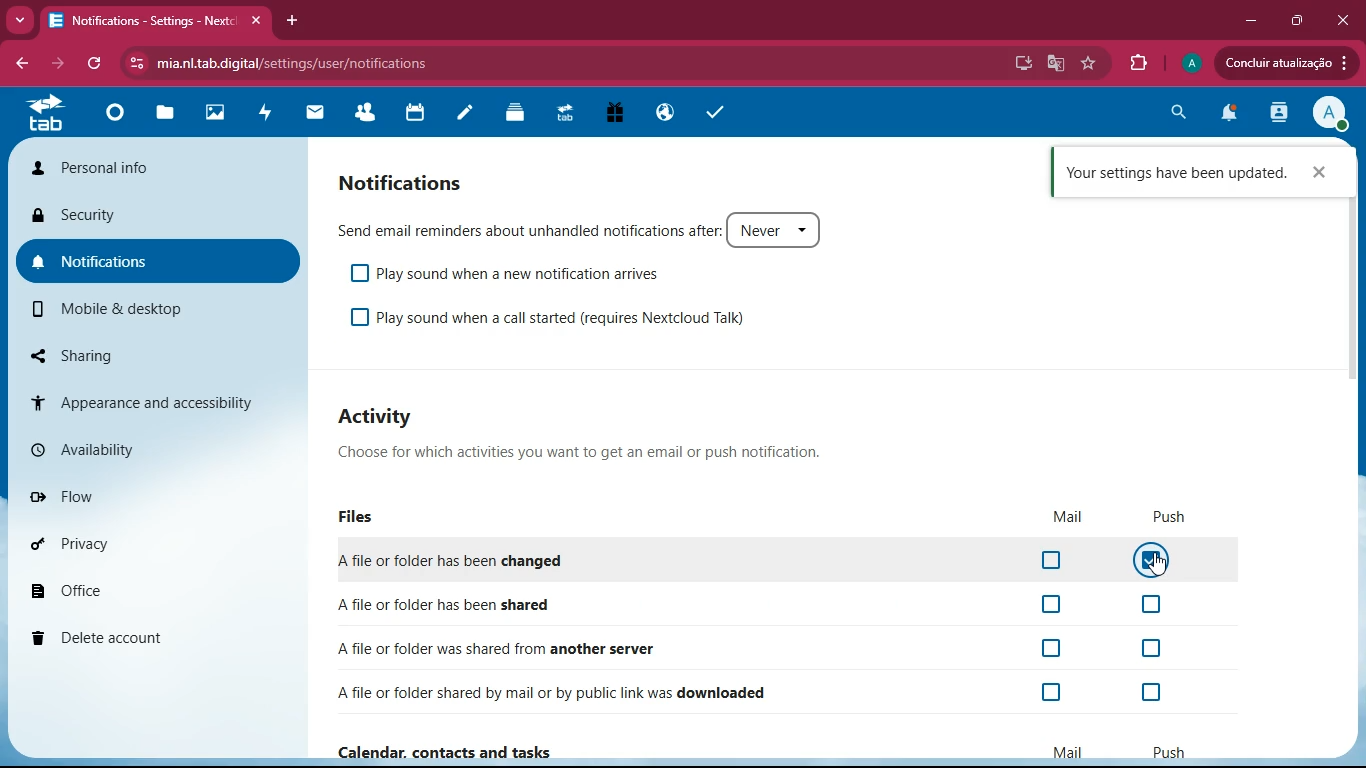 This screenshot has height=768, width=1366. What do you see at coordinates (1159, 606) in the screenshot?
I see `off` at bounding box center [1159, 606].